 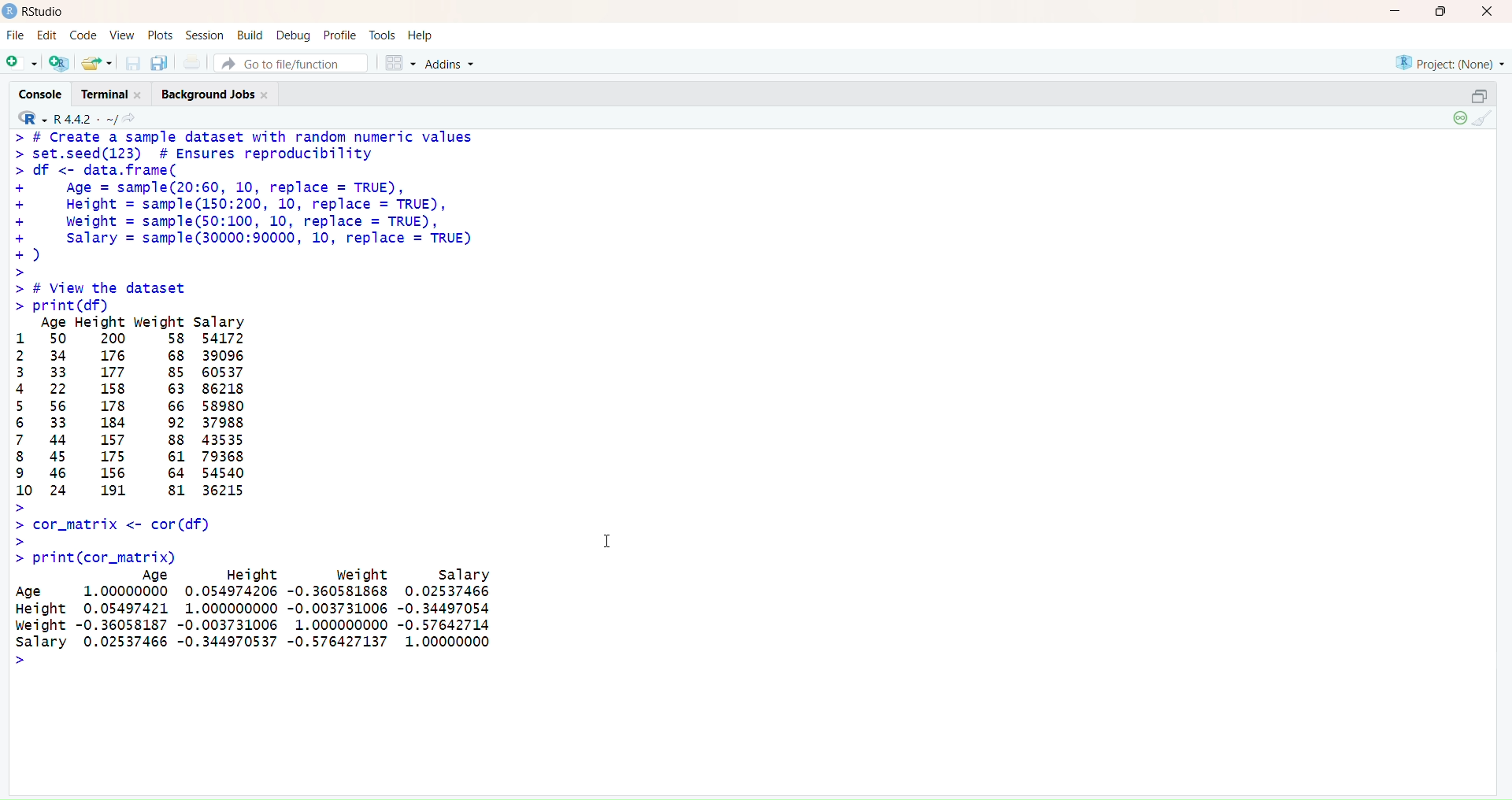 I want to click on R442/ ~/, so click(x=87, y=117).